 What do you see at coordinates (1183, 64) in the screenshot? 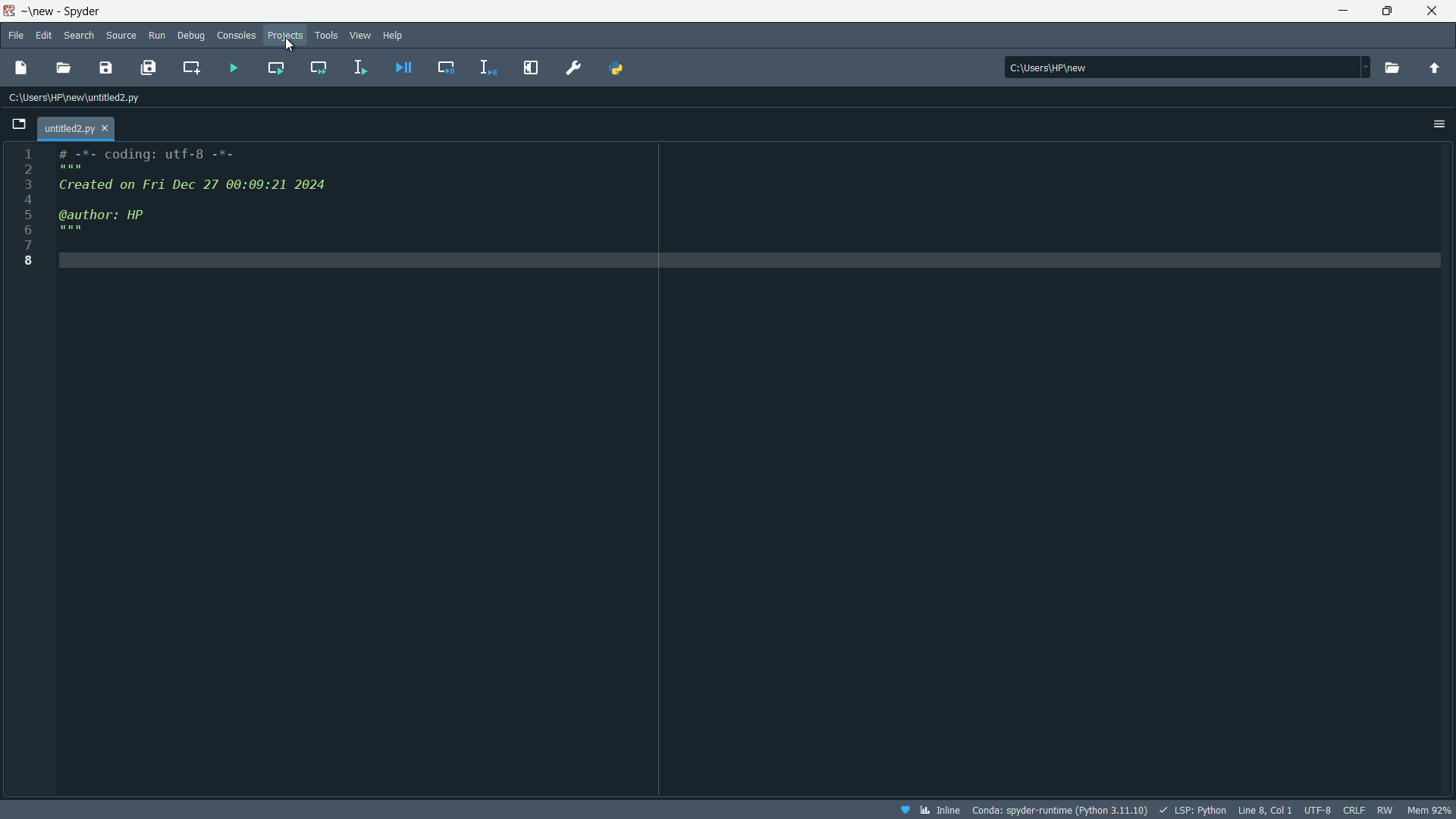
I see `file directory` at bounding box center [1183, 64].